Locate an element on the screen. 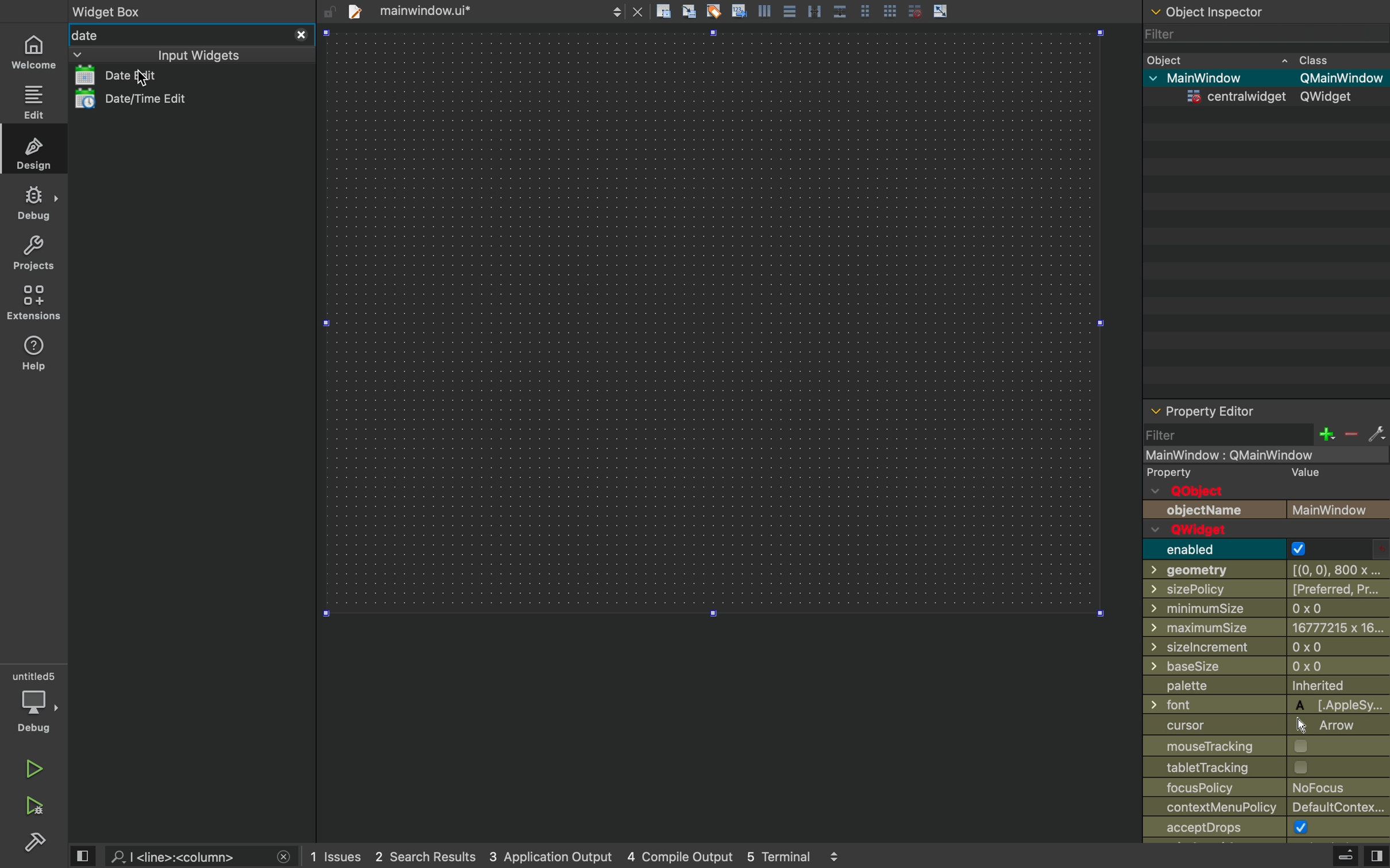 The image size is (1390, 868). date is located at coordinates (179, 36).